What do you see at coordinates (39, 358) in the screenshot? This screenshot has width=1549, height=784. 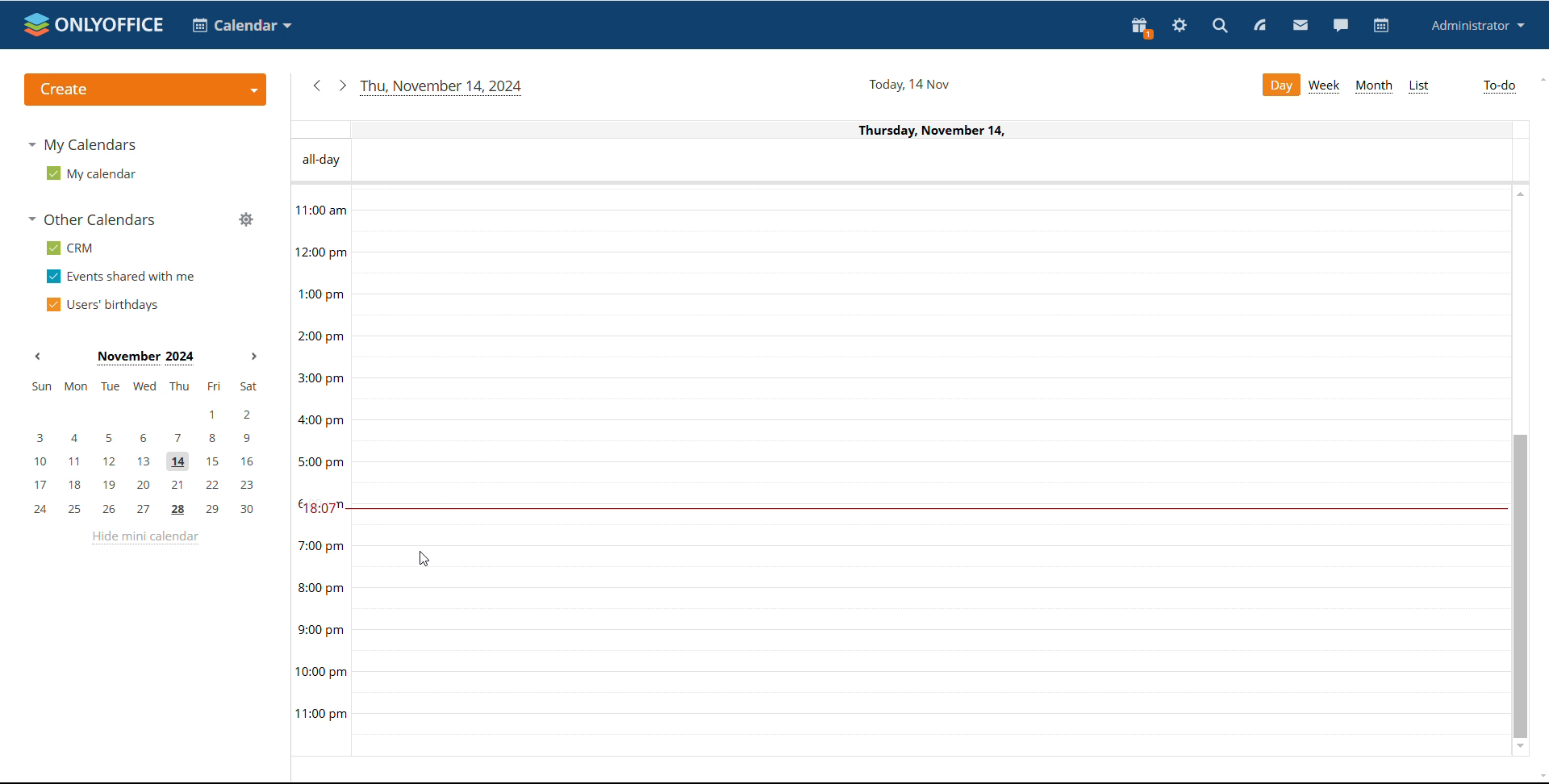 I see `previous month` at bounding box center [39, 358].